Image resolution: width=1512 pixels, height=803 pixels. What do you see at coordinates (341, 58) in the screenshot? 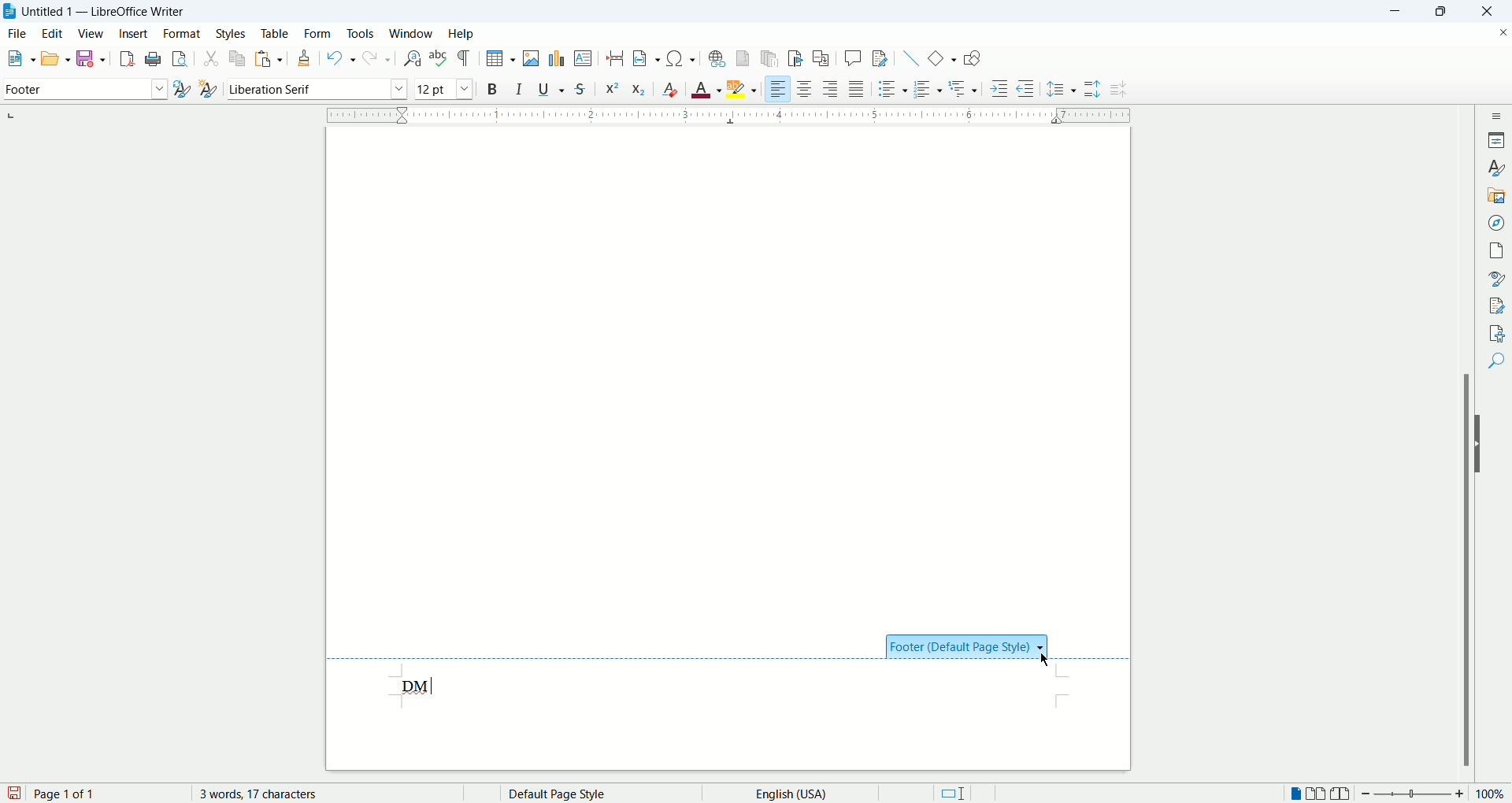
I see `undo` at bounding box center [341, 58].